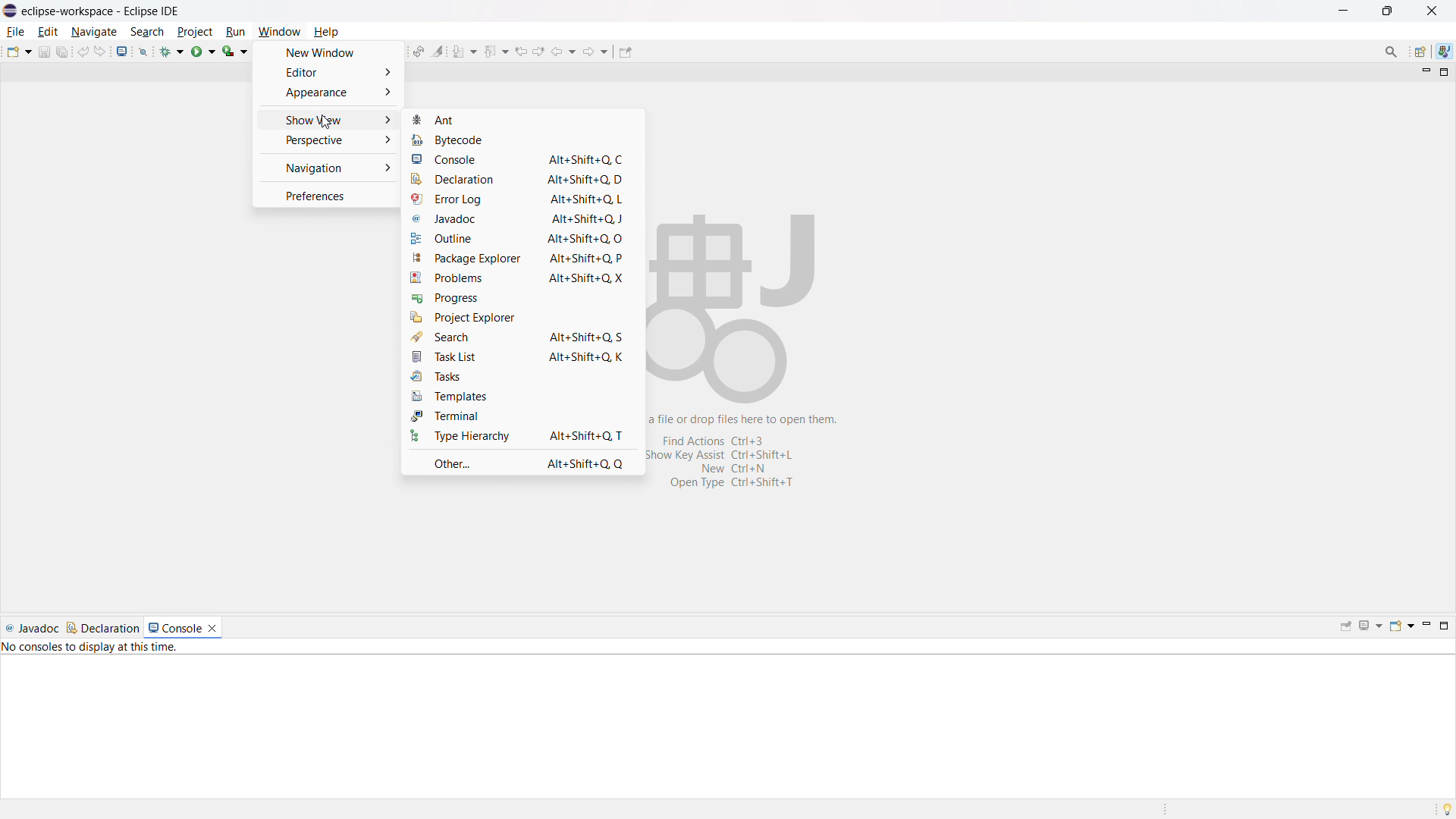 The image size is (1456, 819). Describe the element at coordinates (49, 32) in the screenshot. I see `edit` at that location.